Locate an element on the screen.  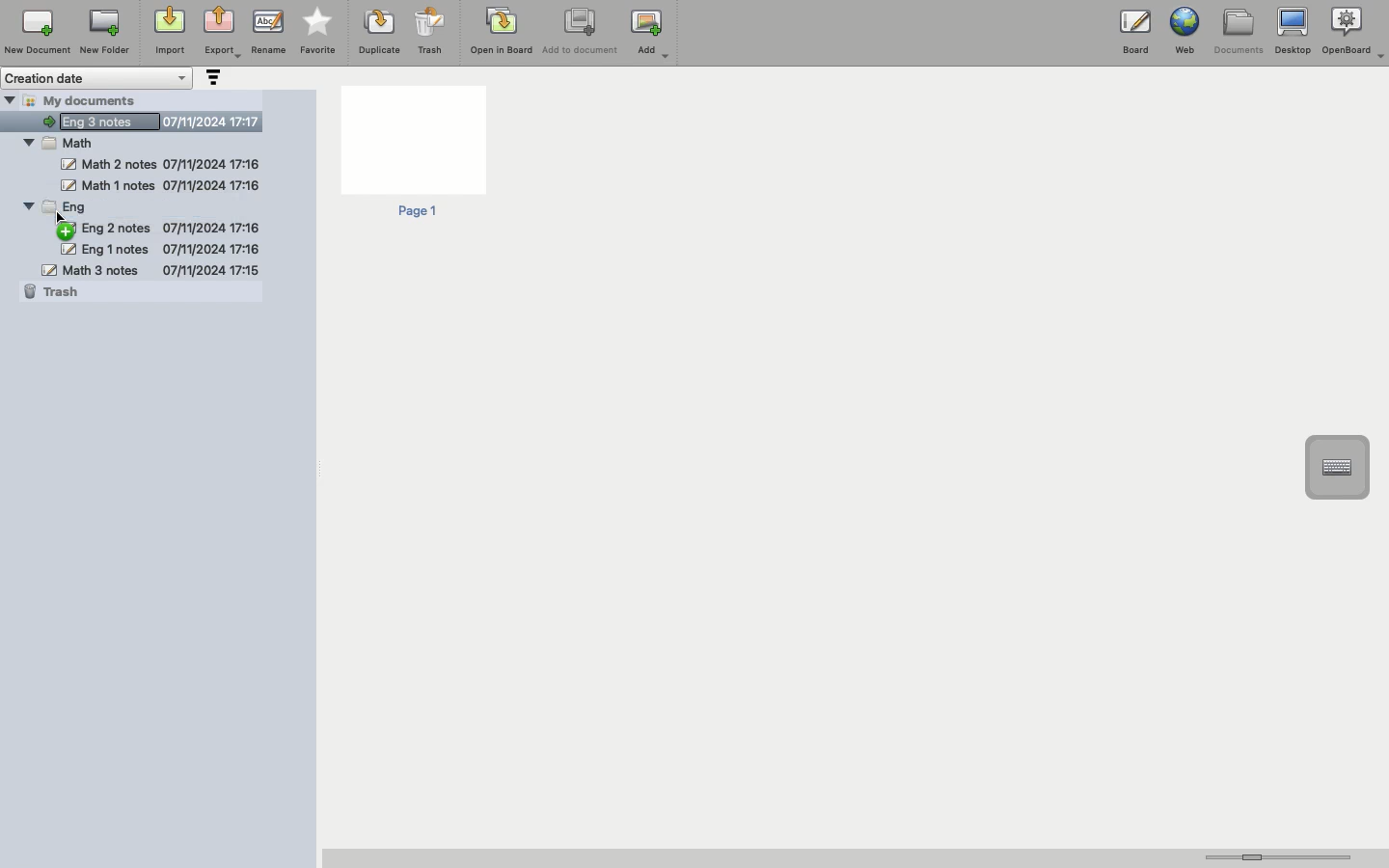
Eng 3 notes is located at coordinates (150, 119).